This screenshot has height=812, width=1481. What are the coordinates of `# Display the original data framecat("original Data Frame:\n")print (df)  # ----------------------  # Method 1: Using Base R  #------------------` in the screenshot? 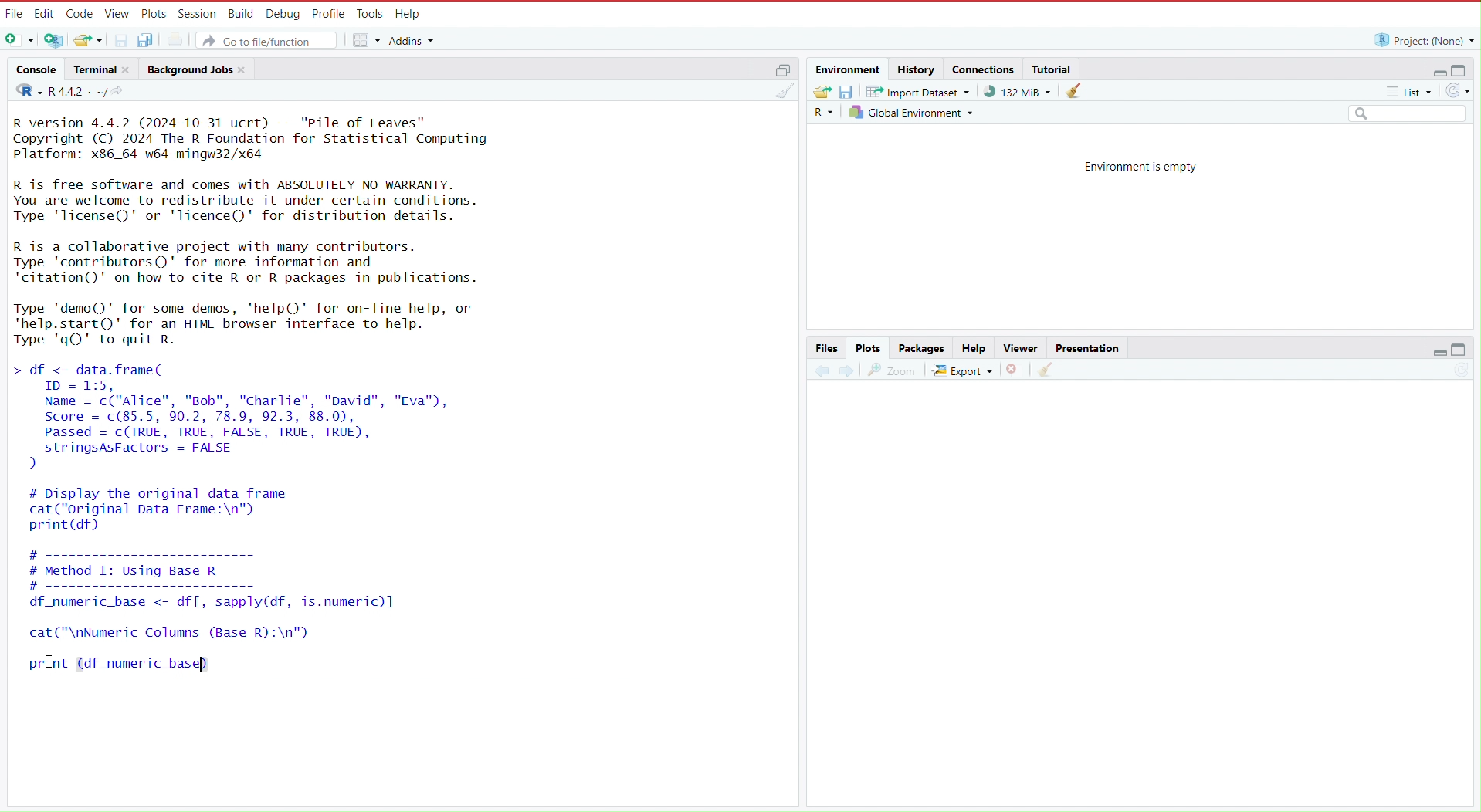 It's located at (252, 538).